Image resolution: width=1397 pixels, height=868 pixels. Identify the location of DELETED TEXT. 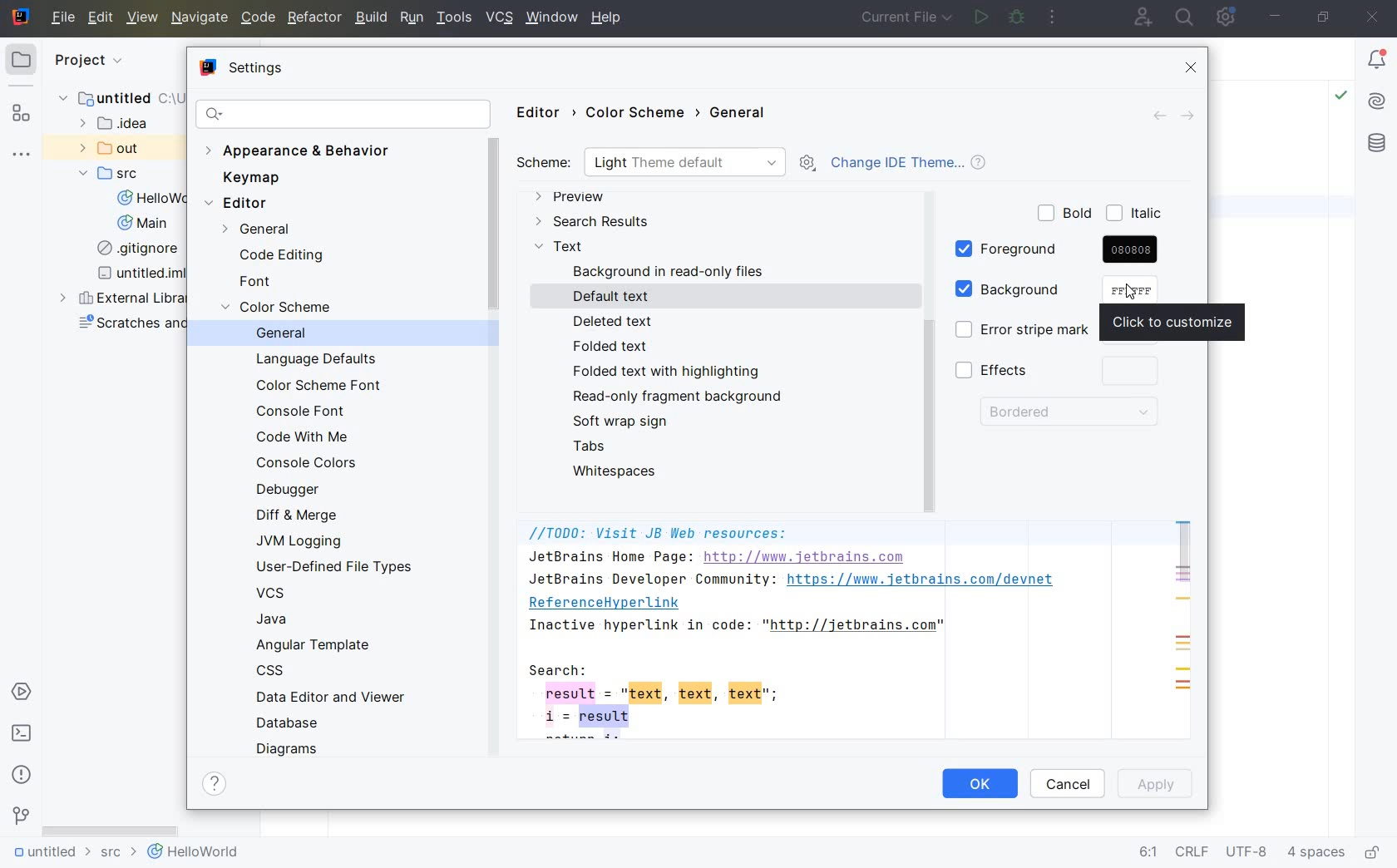
(612, 320).